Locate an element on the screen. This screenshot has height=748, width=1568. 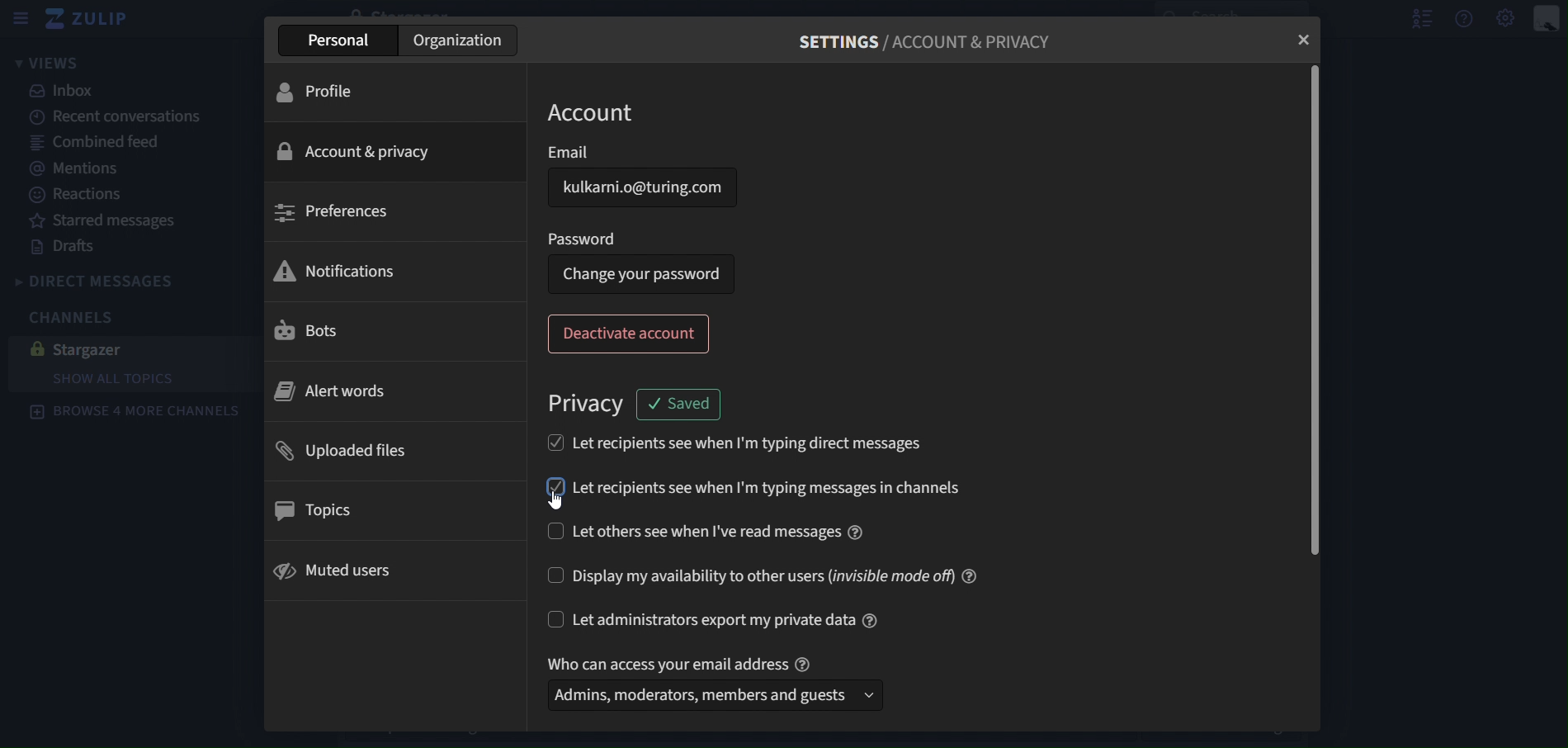
combined feed is located at coordinates (98, 142).